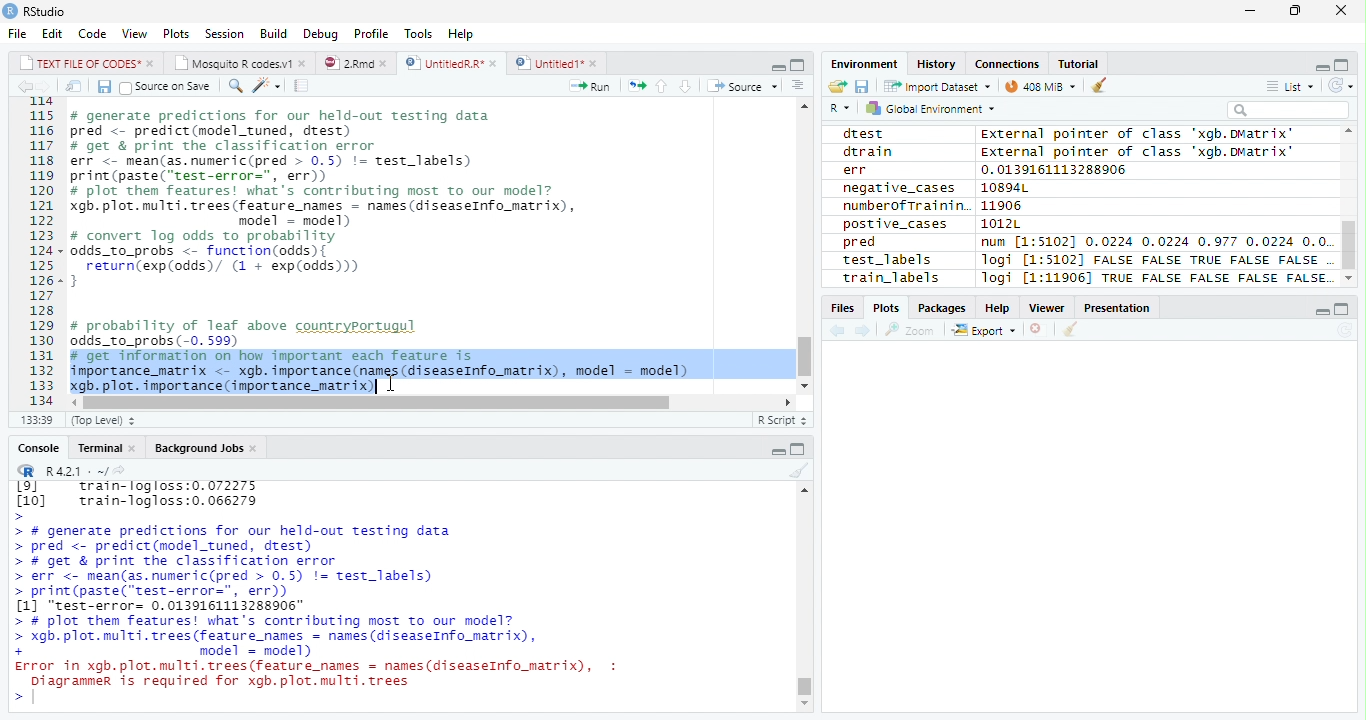 This screenshot has height=720, width=1366. Describe the element at coordinates (1142, 132) in the screenshot. I see `external pointer of class 'xagb.DMatrix'` at that location.